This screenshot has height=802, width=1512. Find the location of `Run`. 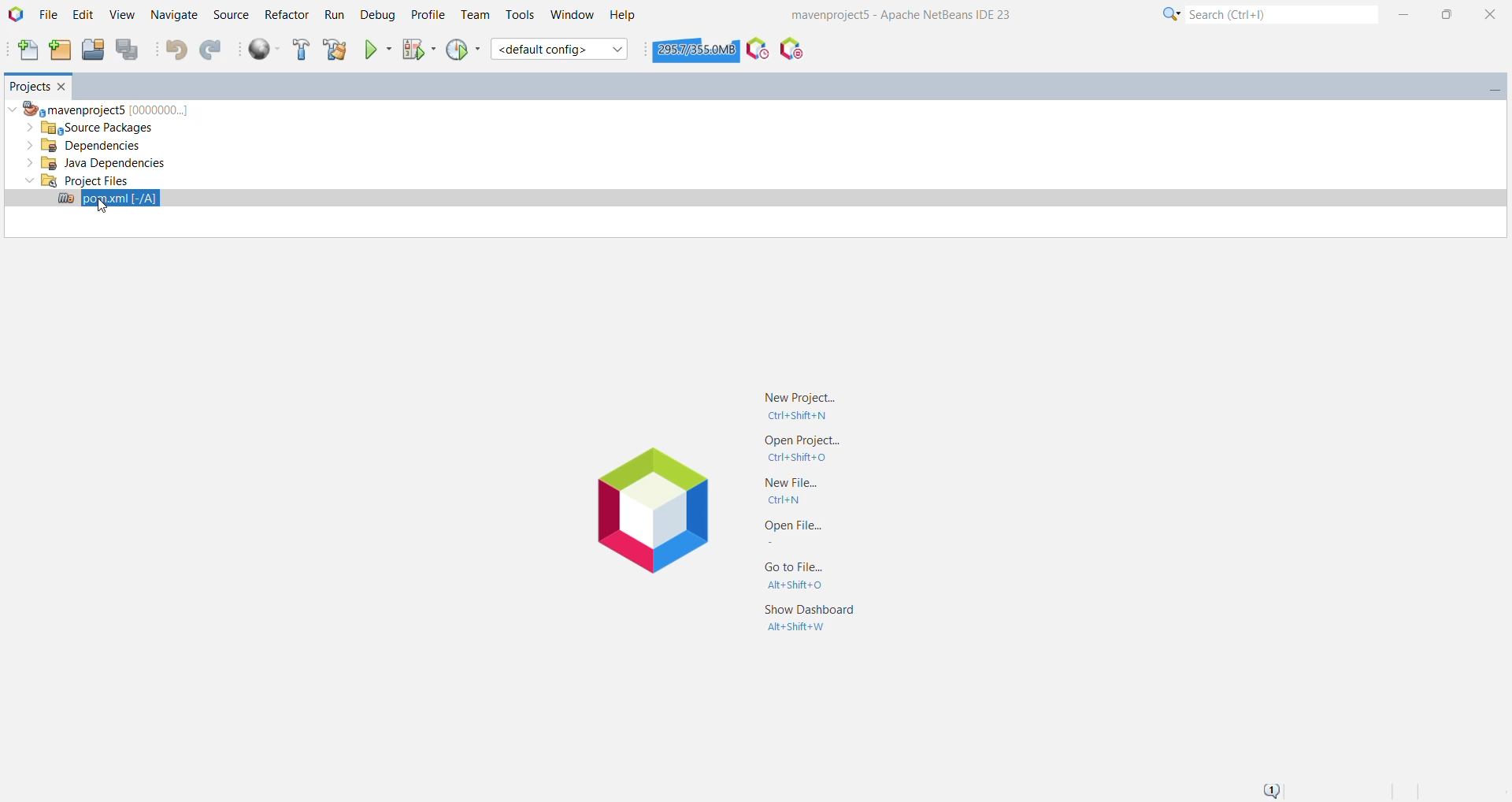

Run is located at coordinates (333, 16).